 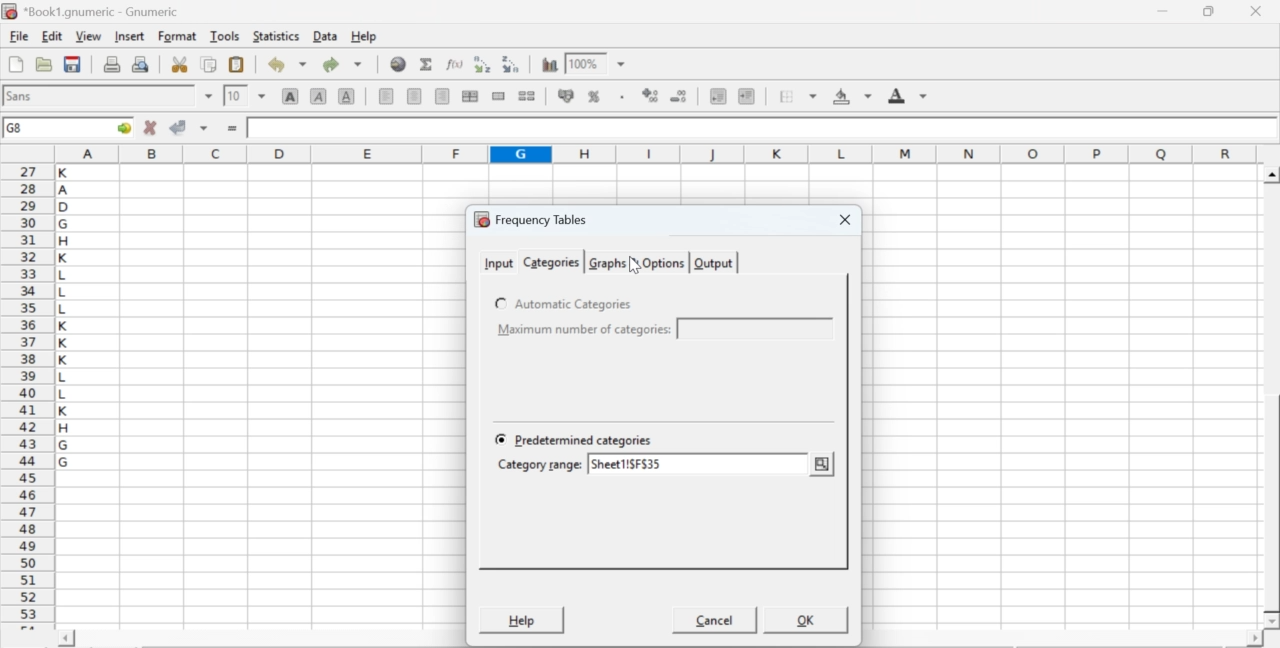 What do you see at coordinates (94, 9) in the screenshot?
I see `application name` at bounding box center [94, 9].